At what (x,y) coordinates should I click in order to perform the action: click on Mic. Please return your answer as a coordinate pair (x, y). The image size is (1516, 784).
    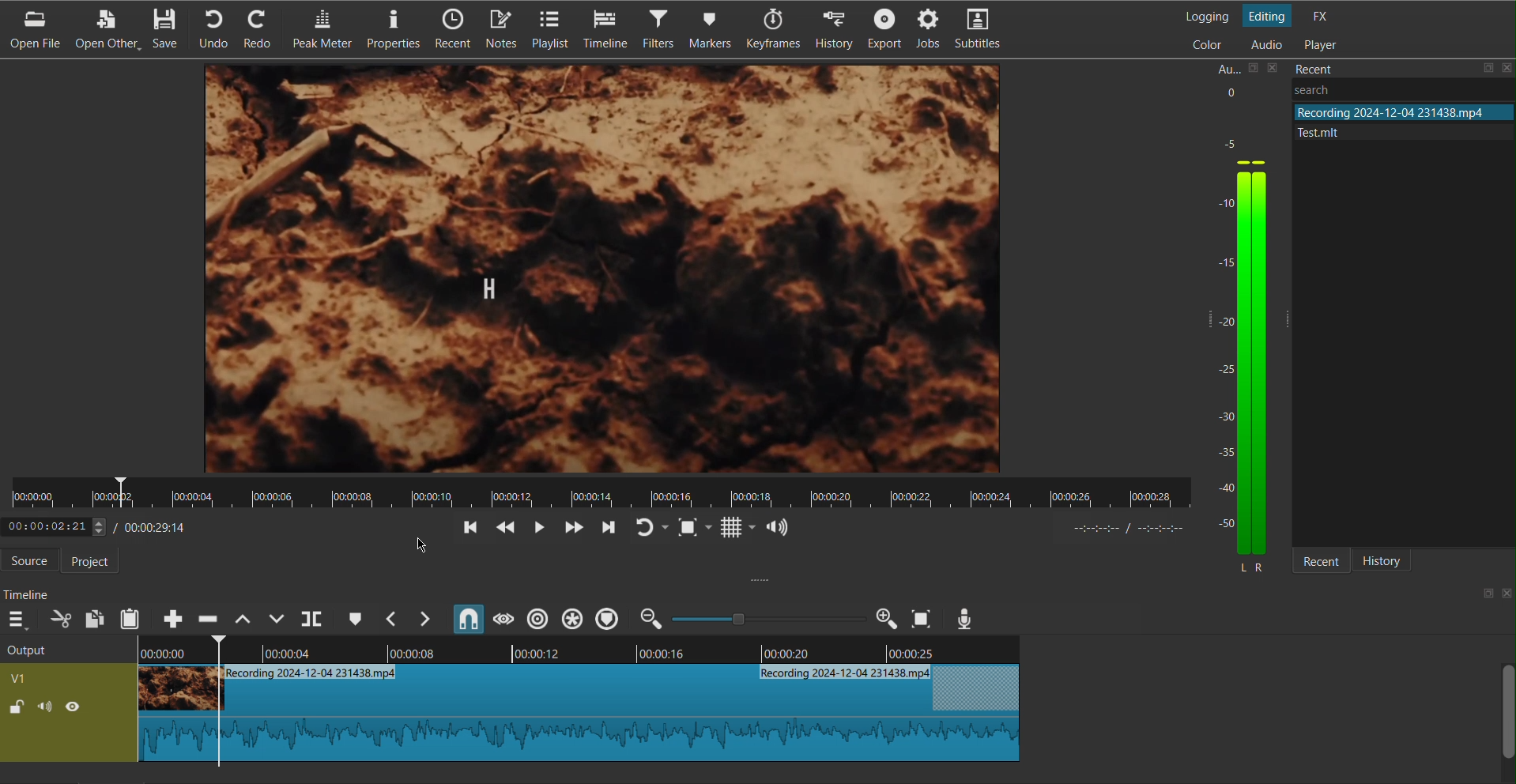
    Looking at the image, I should click on (965, 618).